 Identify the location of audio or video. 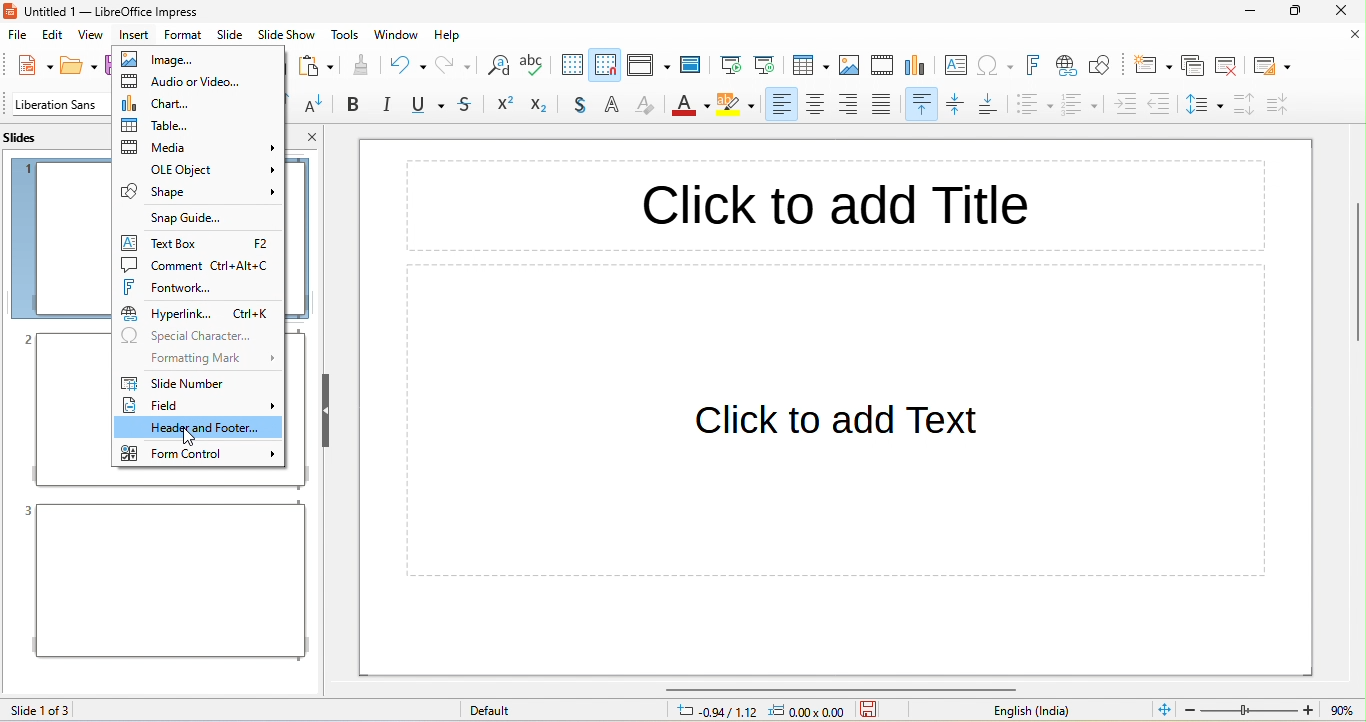
(191, 80).